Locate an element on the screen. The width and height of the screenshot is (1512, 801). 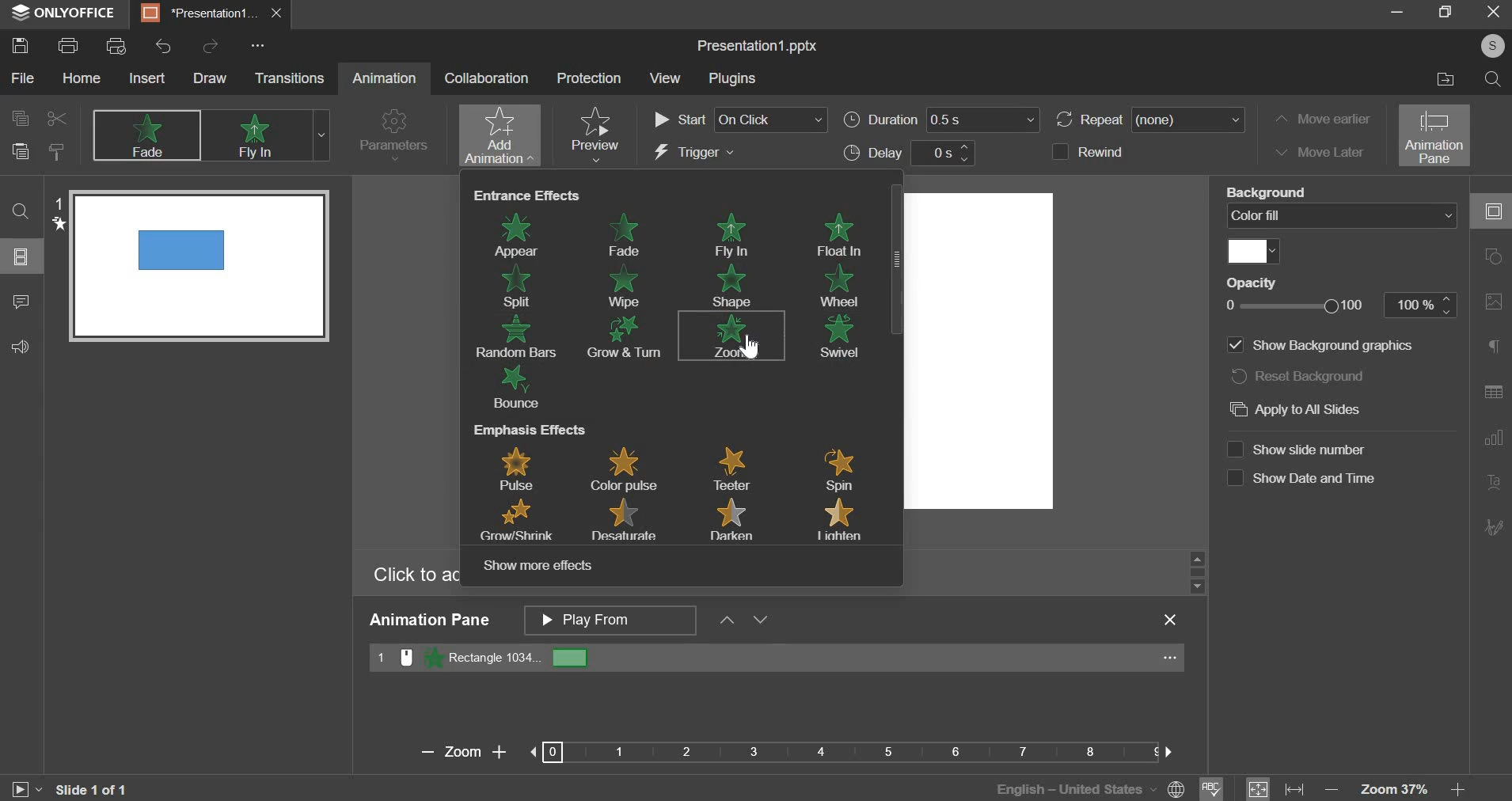
Plugins is located at coordinates (739, 79).